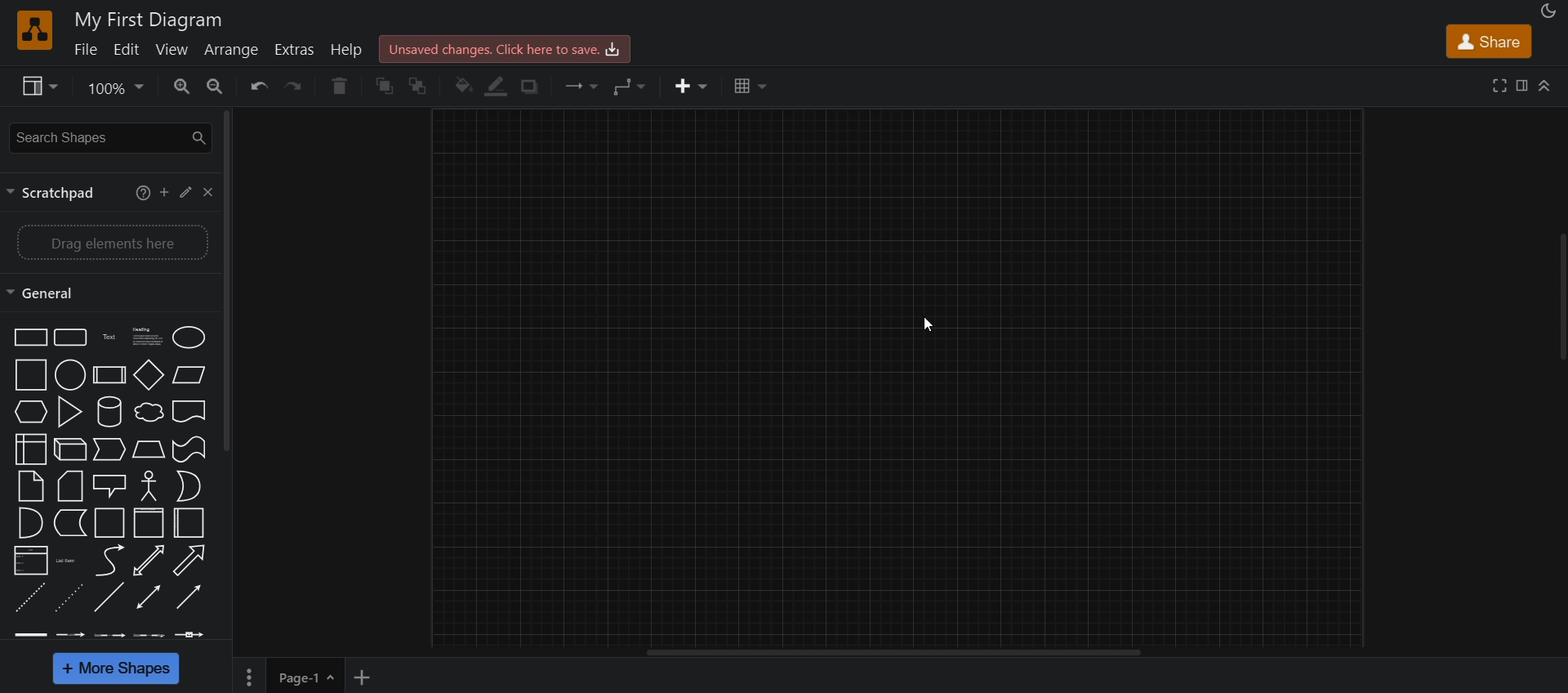 The width and height of the screenshot is (1568, 693). What do you see at coordinates (218, 87) in the screenshot?
I see `zoom out` at bounding box center [218, 87].